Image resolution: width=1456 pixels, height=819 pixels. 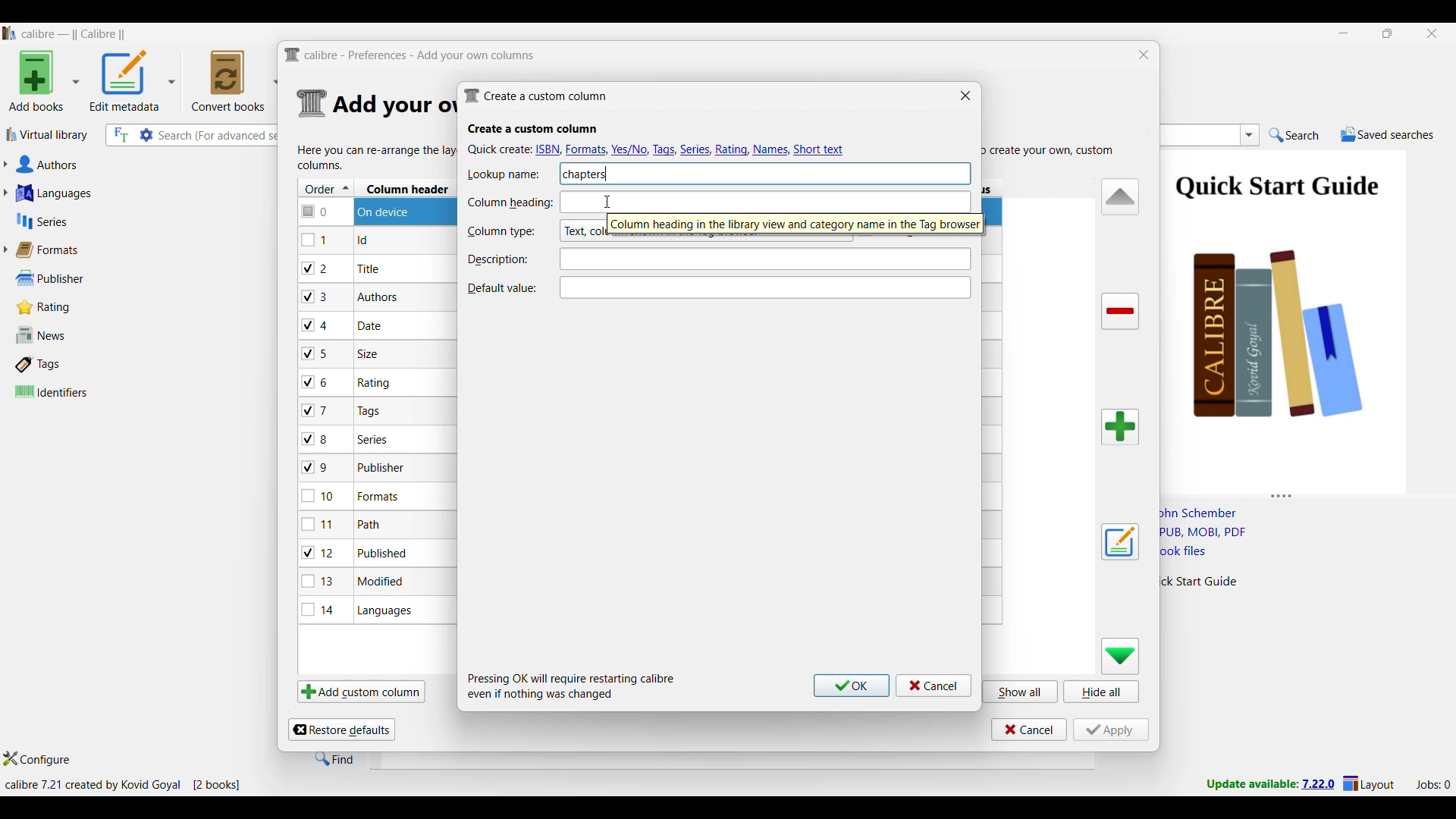 What do you see at coordinates (1121, 312) in the screenshot?
I see `Delete column` at bounding box center [1121, 312].